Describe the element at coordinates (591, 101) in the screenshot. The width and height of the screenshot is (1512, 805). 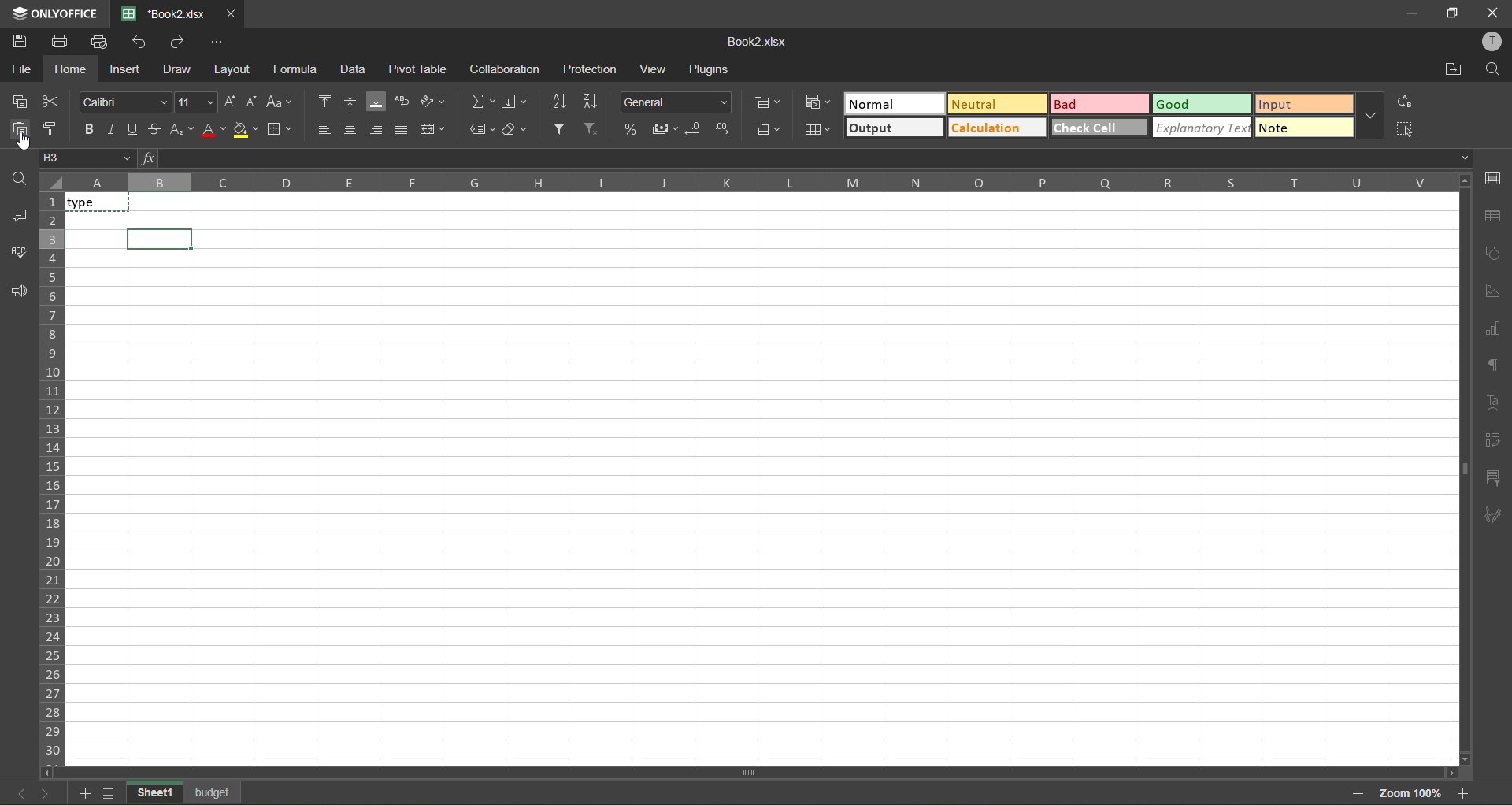
I see `sort descending` at that location.